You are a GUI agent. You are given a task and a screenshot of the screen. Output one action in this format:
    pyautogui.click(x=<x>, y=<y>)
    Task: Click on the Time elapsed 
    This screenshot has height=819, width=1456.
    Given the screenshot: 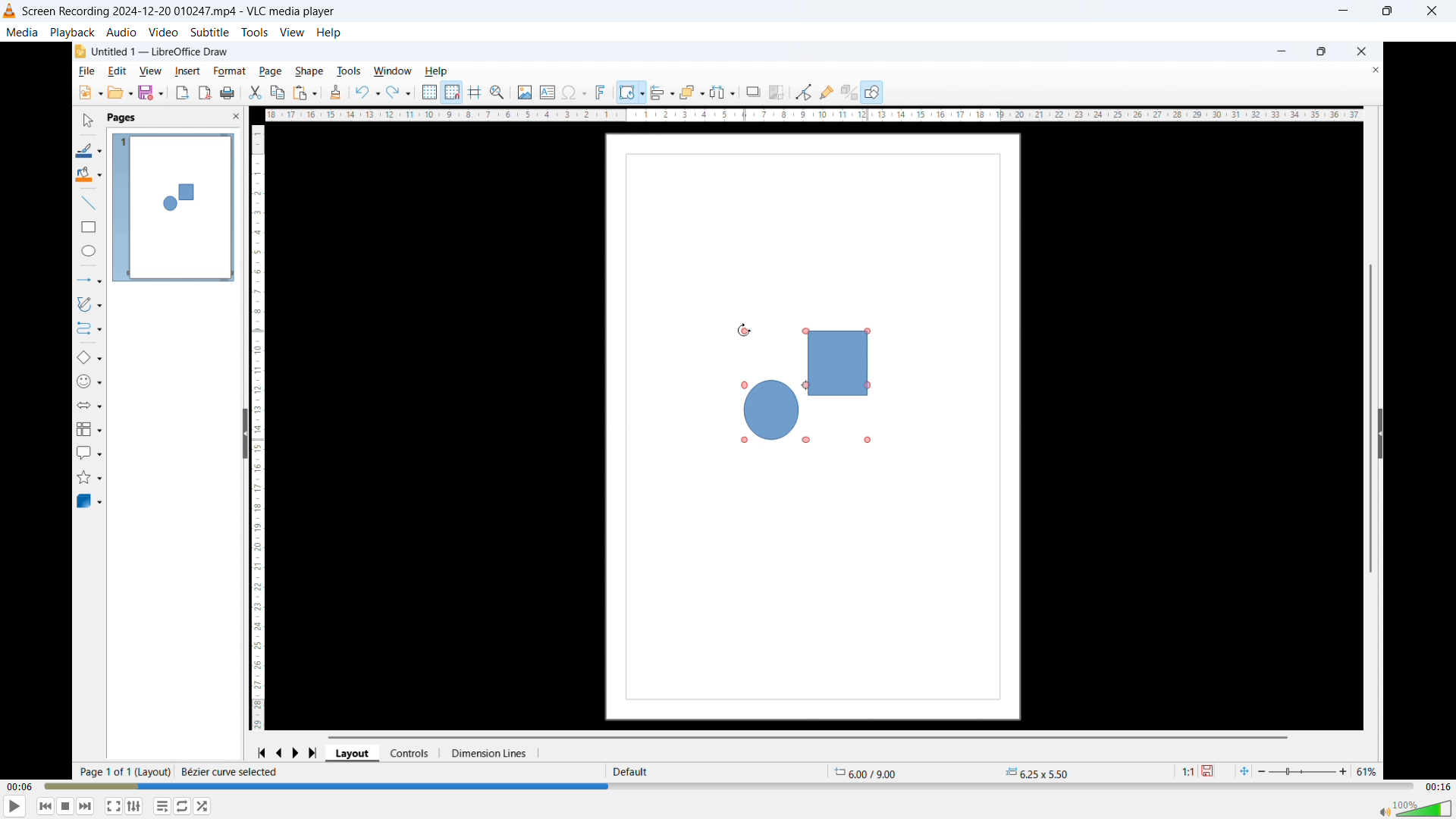 What is the action you would take?
    pyautogui.click(x=20, y=785)
    